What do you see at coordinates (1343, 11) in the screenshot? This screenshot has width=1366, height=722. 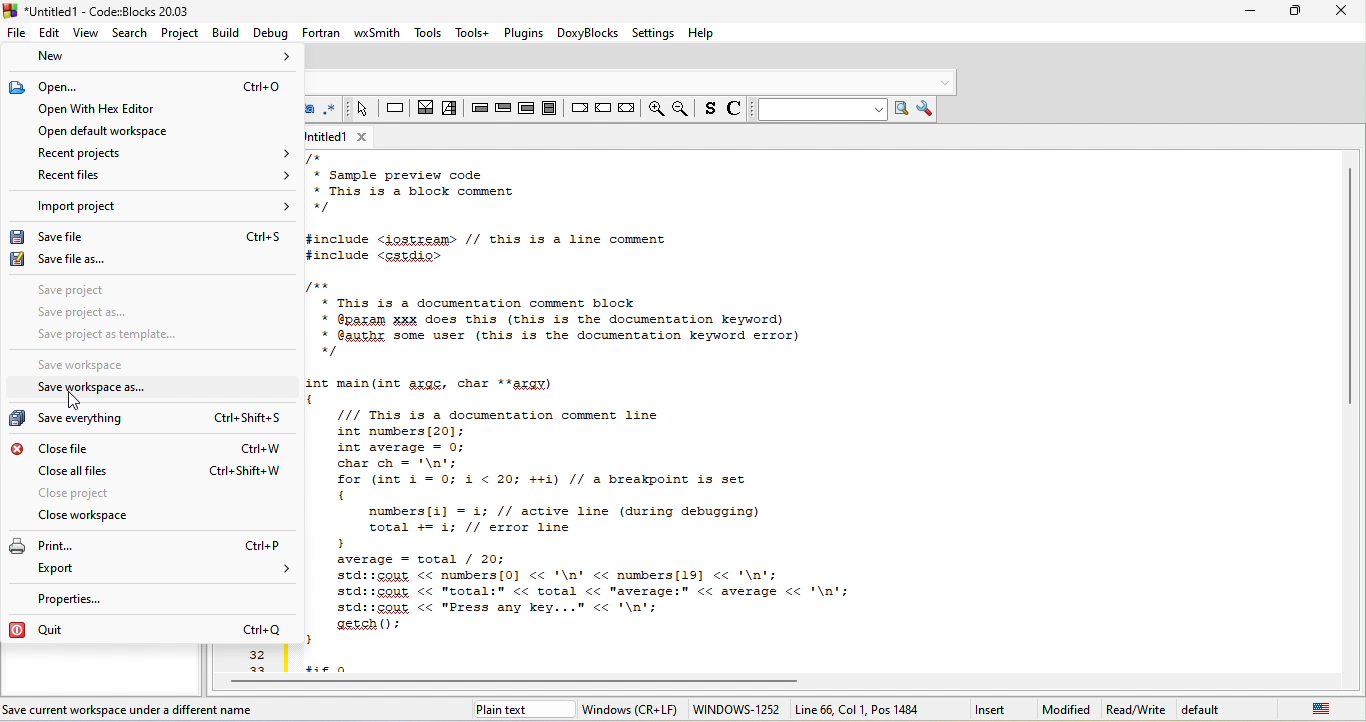 I see `close` at bounding box center [1343, 11].